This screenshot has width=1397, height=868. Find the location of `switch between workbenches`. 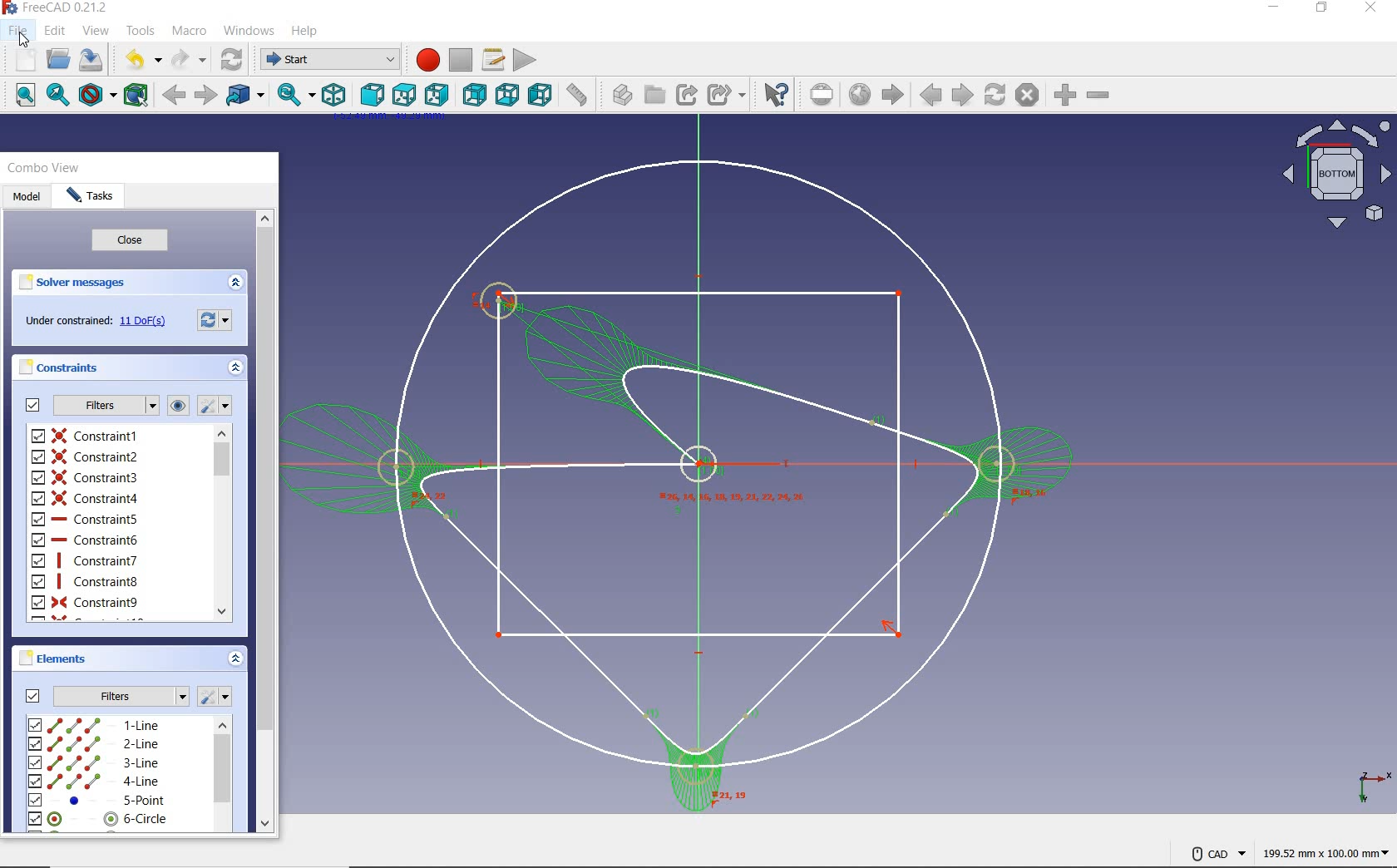

switch between workbenches is located at coordinates (325, 58).